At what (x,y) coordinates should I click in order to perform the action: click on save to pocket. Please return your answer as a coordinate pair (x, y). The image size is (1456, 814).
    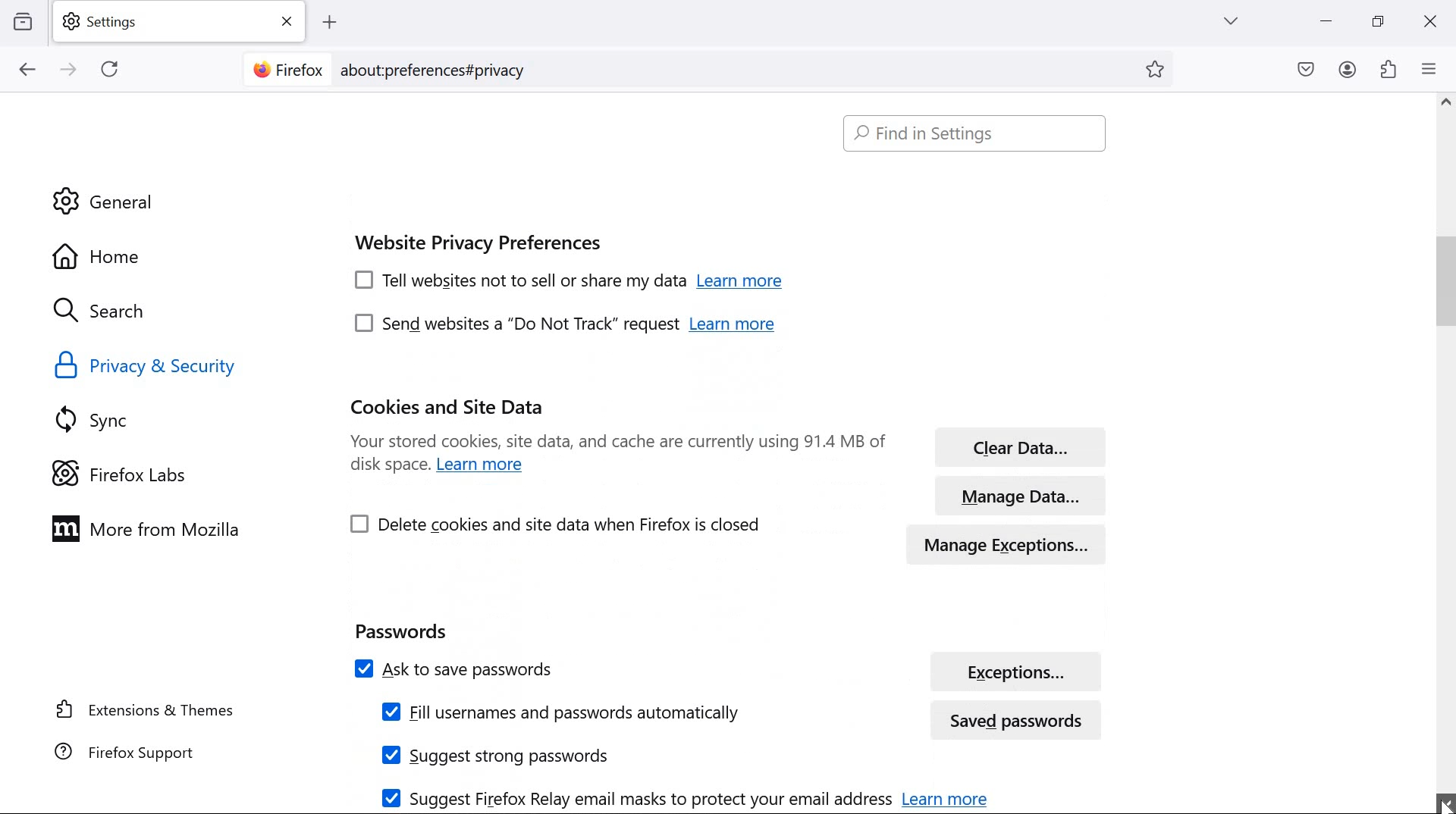
    Looking at the image, I should click on (1306, 70).